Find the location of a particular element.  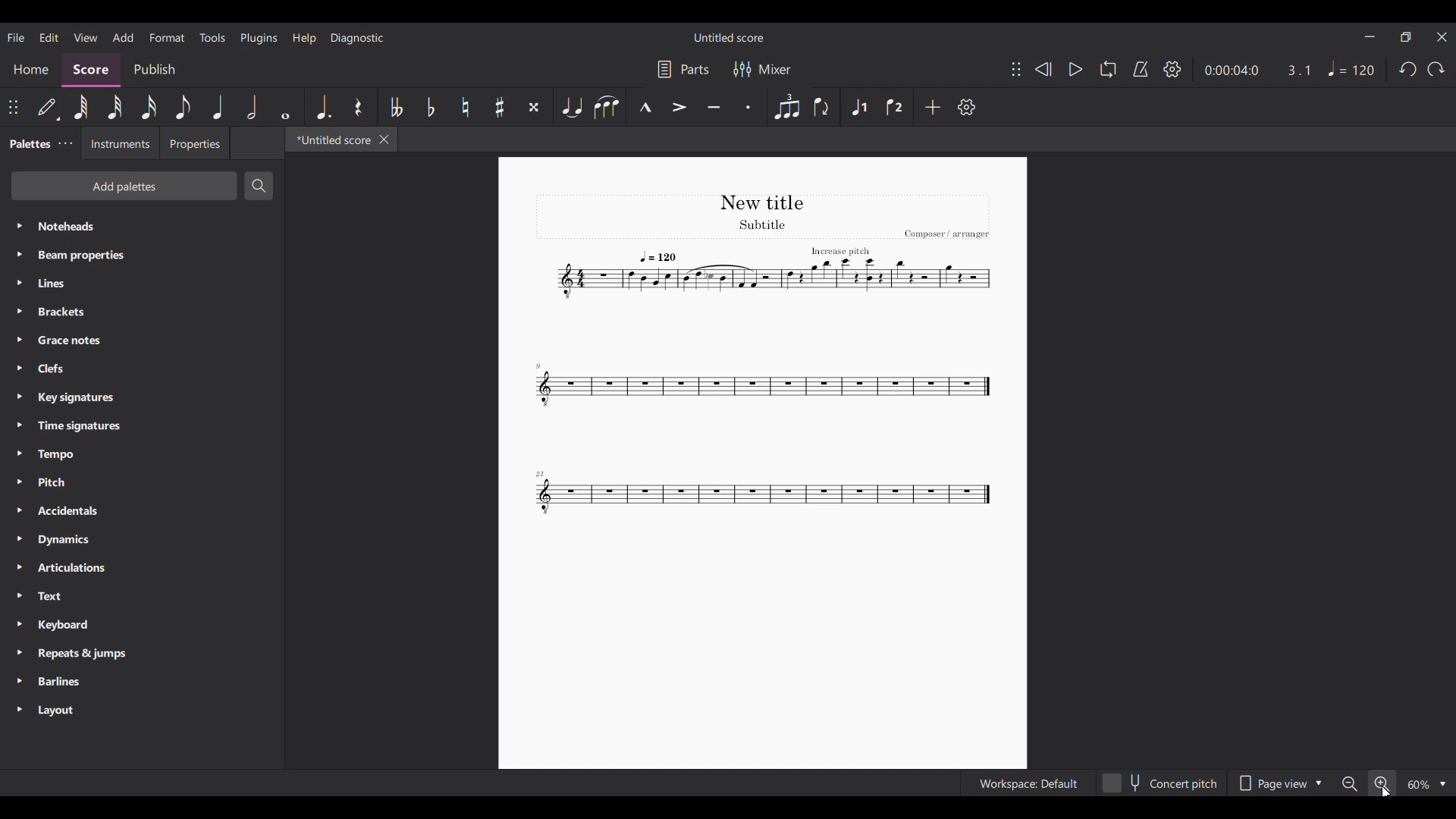

Search is located at coordinates (259, 185).